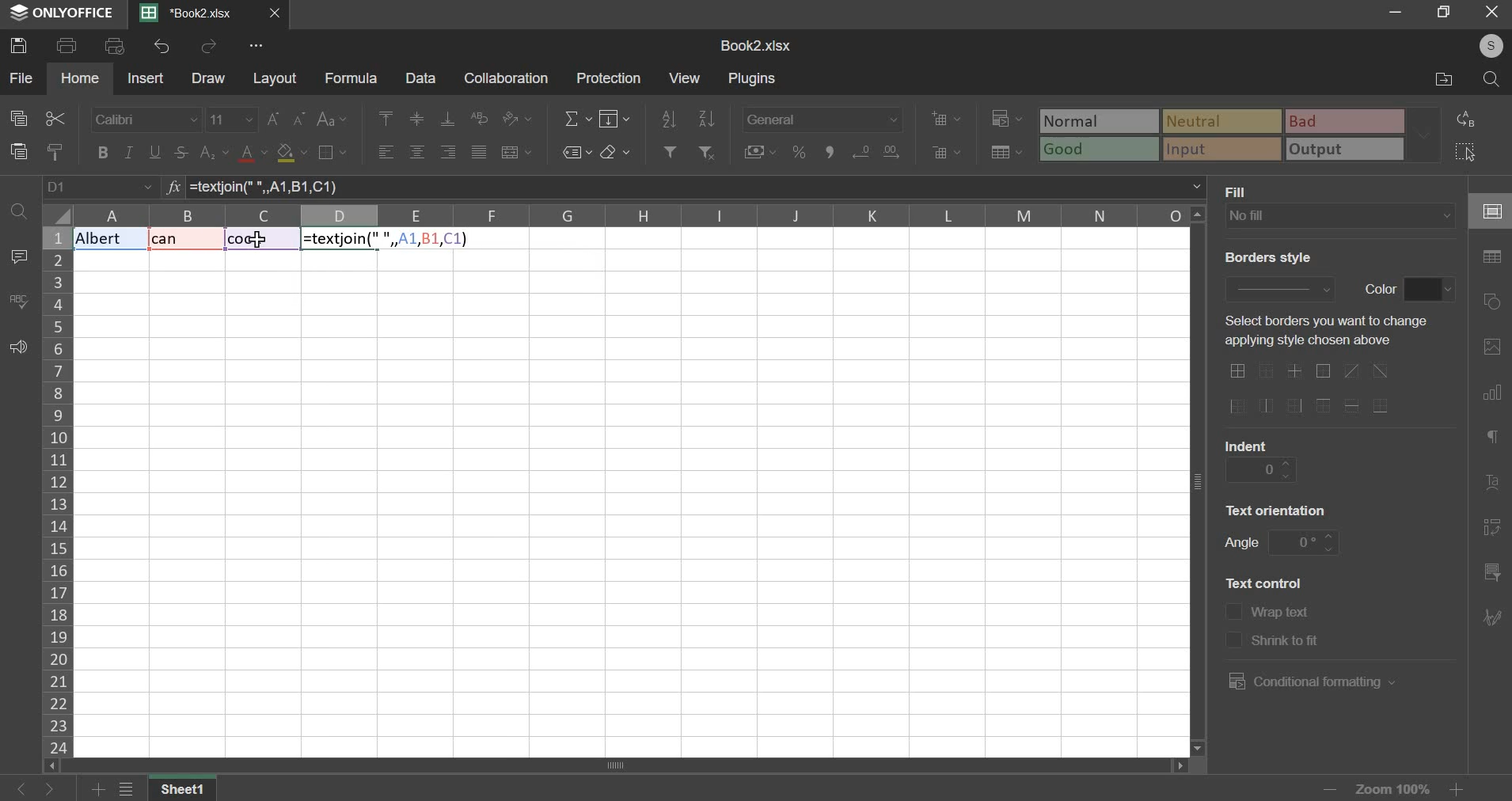 This screenshot has height=801, width=1512. I want to click on fill color, so click(291, 154).